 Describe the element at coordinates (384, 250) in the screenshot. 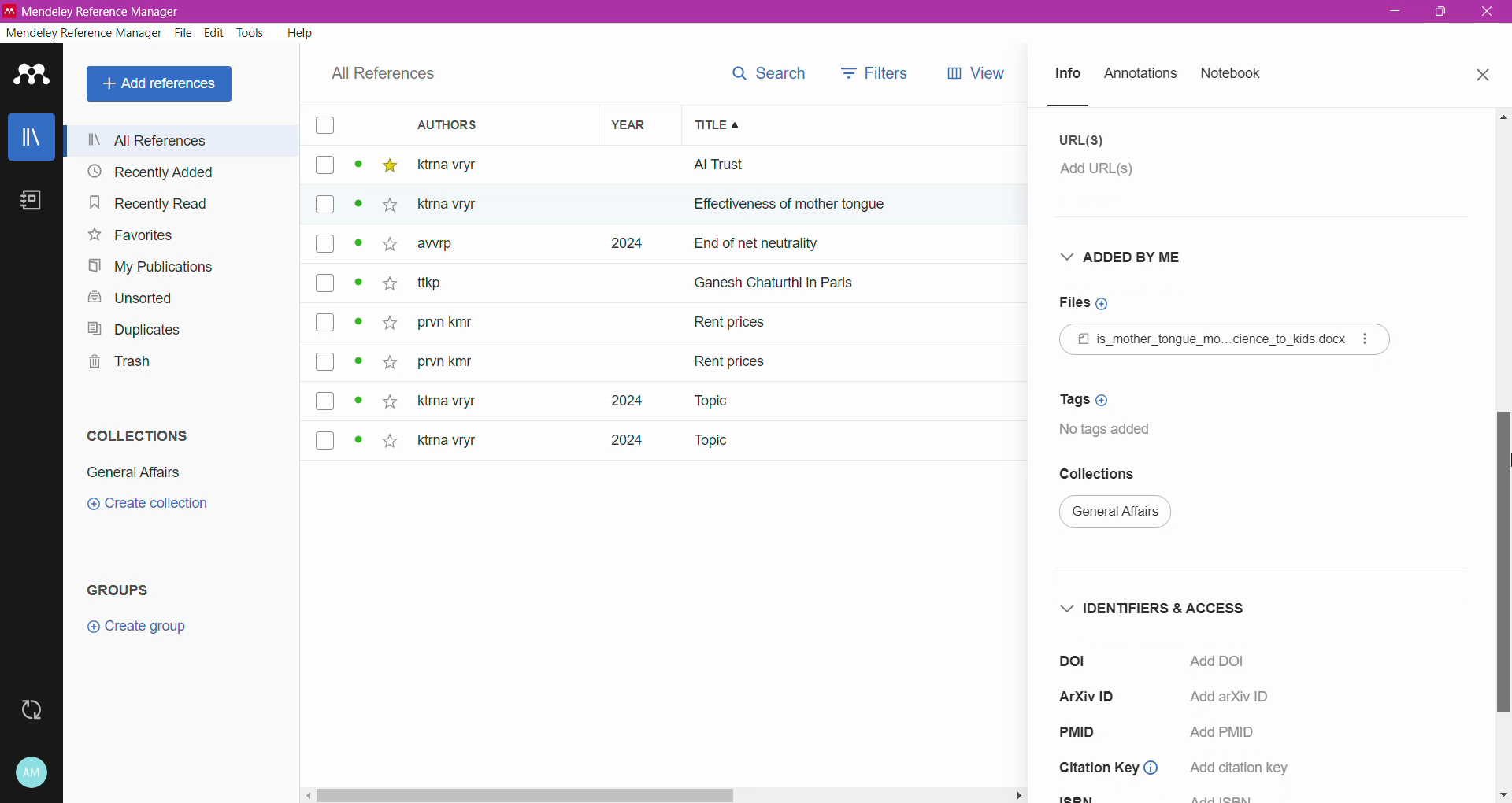

I see `star` at that location.